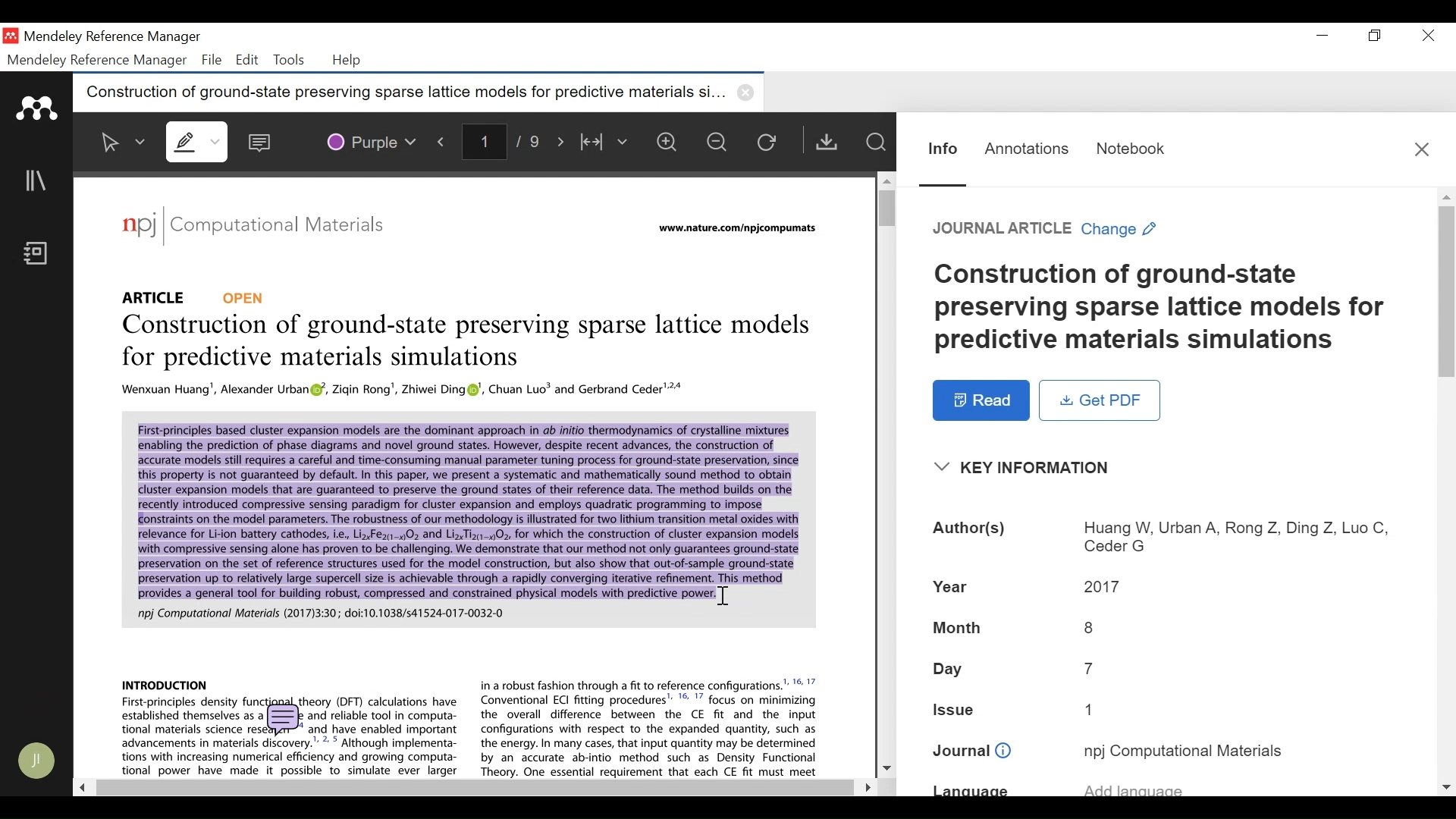 Image resolution: width=1456 pixels, height=819 pixels. What do you see at coordinates (1027, 468) in the screenshot?
I see `Key Information` at bounding box center [1027, 468].